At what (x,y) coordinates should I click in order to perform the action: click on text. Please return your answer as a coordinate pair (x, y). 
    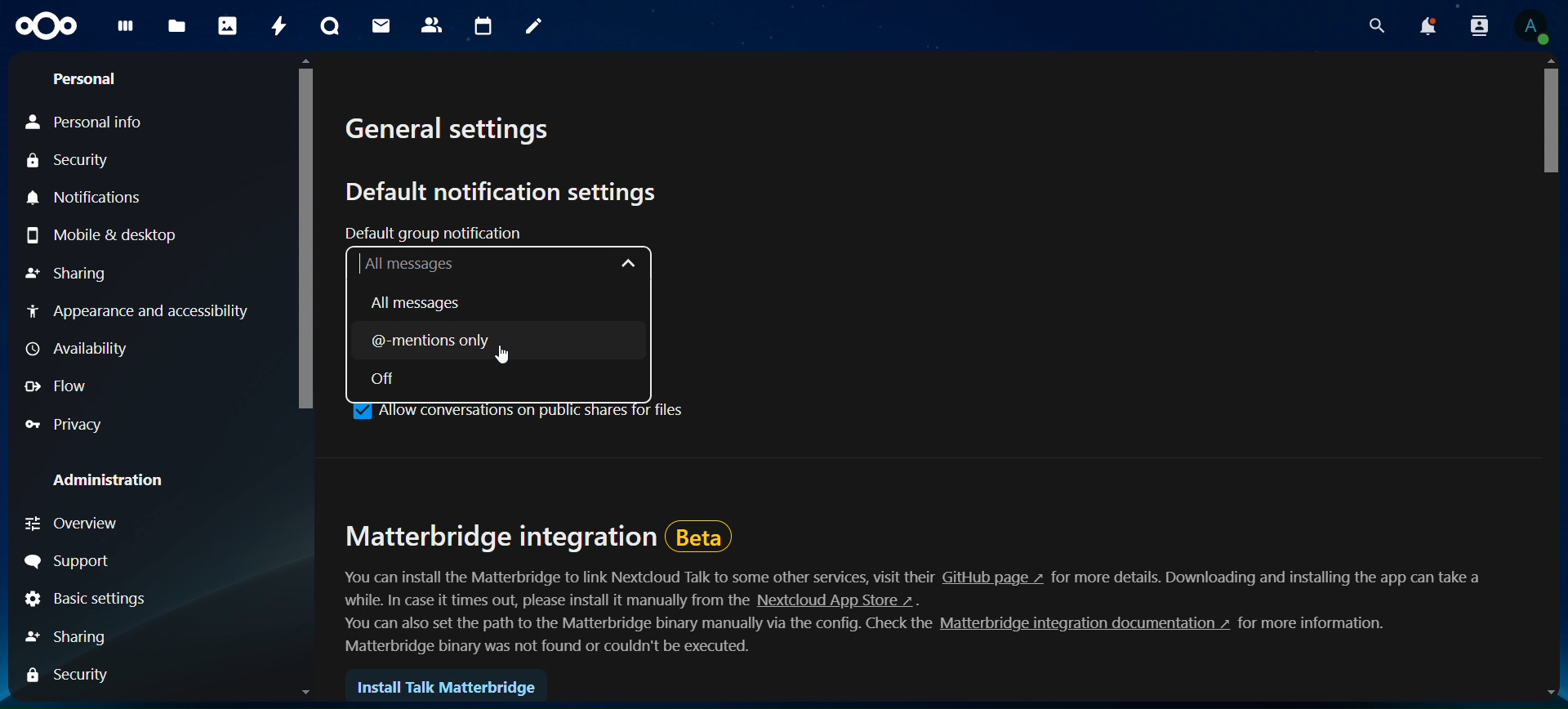
    Looking at the image, I should click on (552, 649).